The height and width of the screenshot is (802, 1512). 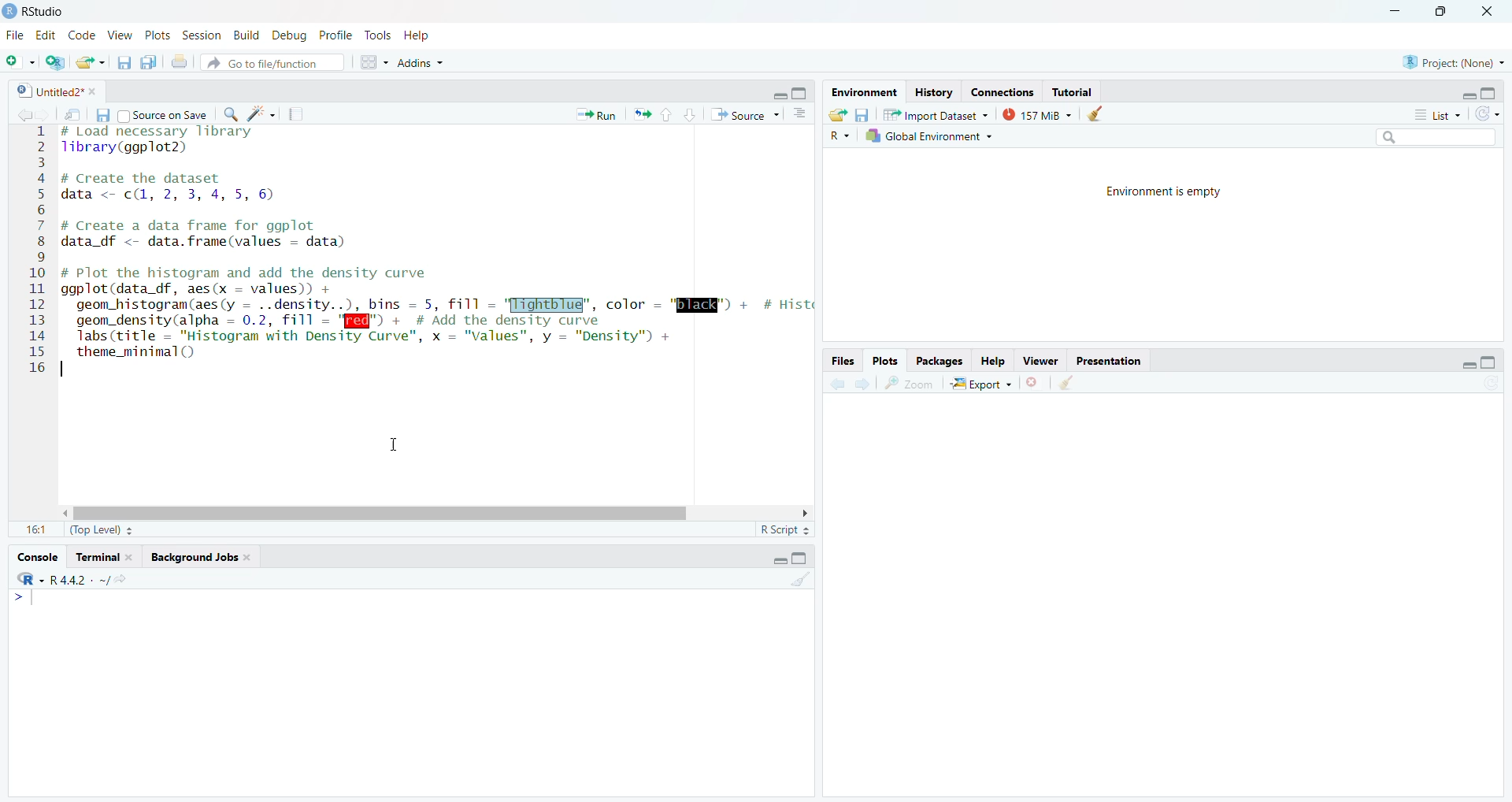 I want to click on text cursor, so click(x=63, y=367).